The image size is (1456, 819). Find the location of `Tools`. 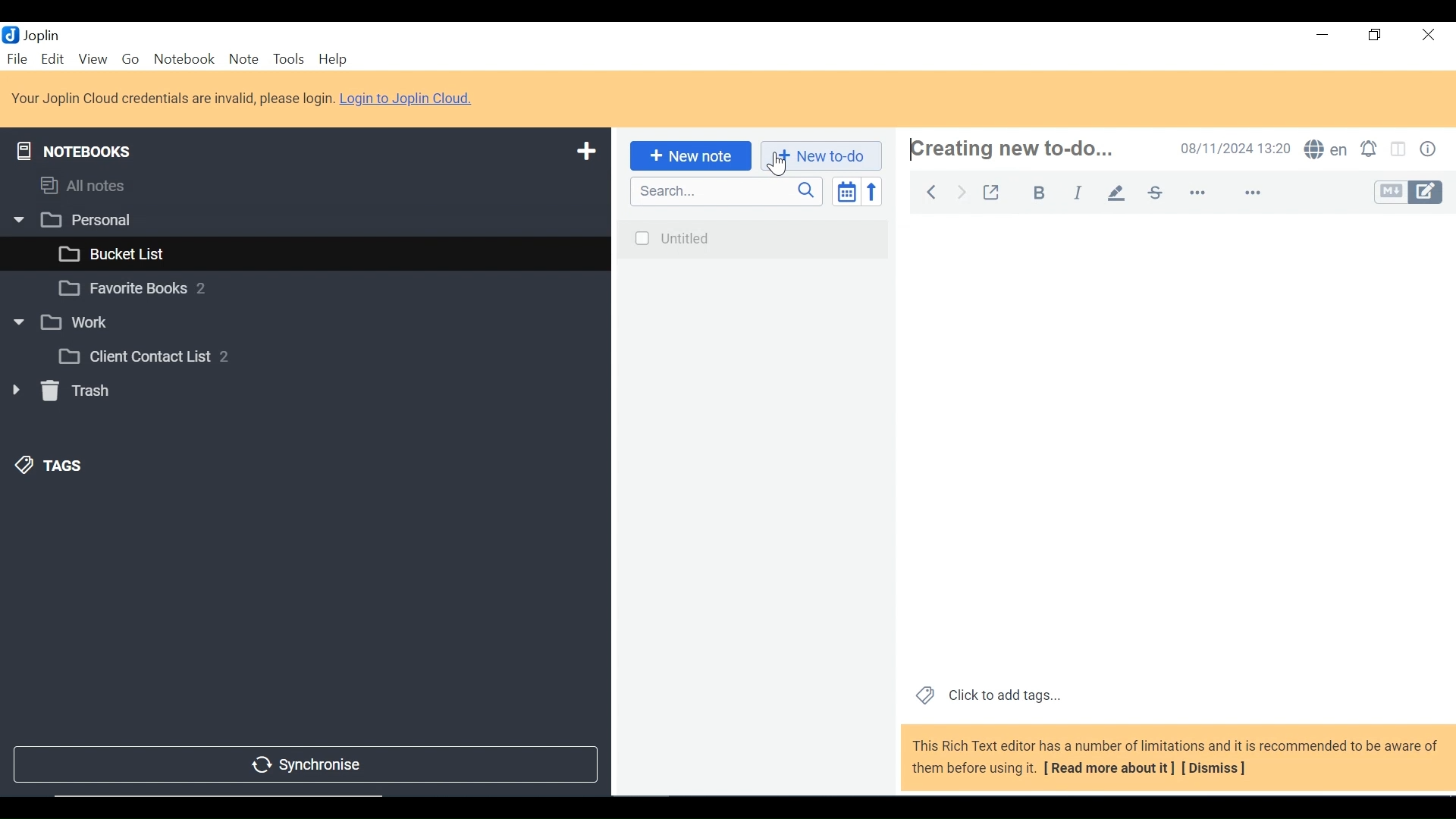

Tools is located at coordinates (290, 60).